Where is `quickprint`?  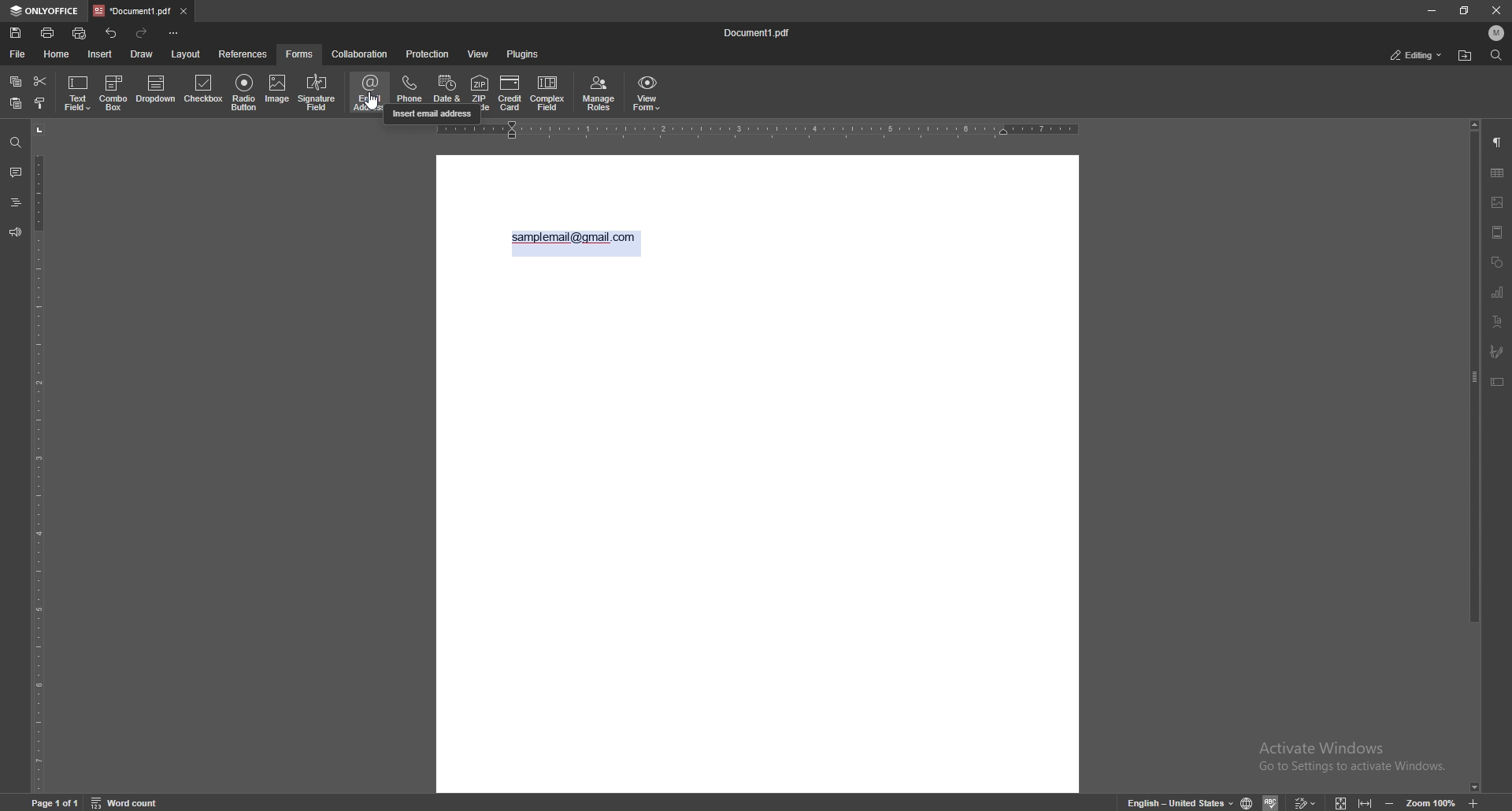
quickprint is located at coordinates (80, 33).